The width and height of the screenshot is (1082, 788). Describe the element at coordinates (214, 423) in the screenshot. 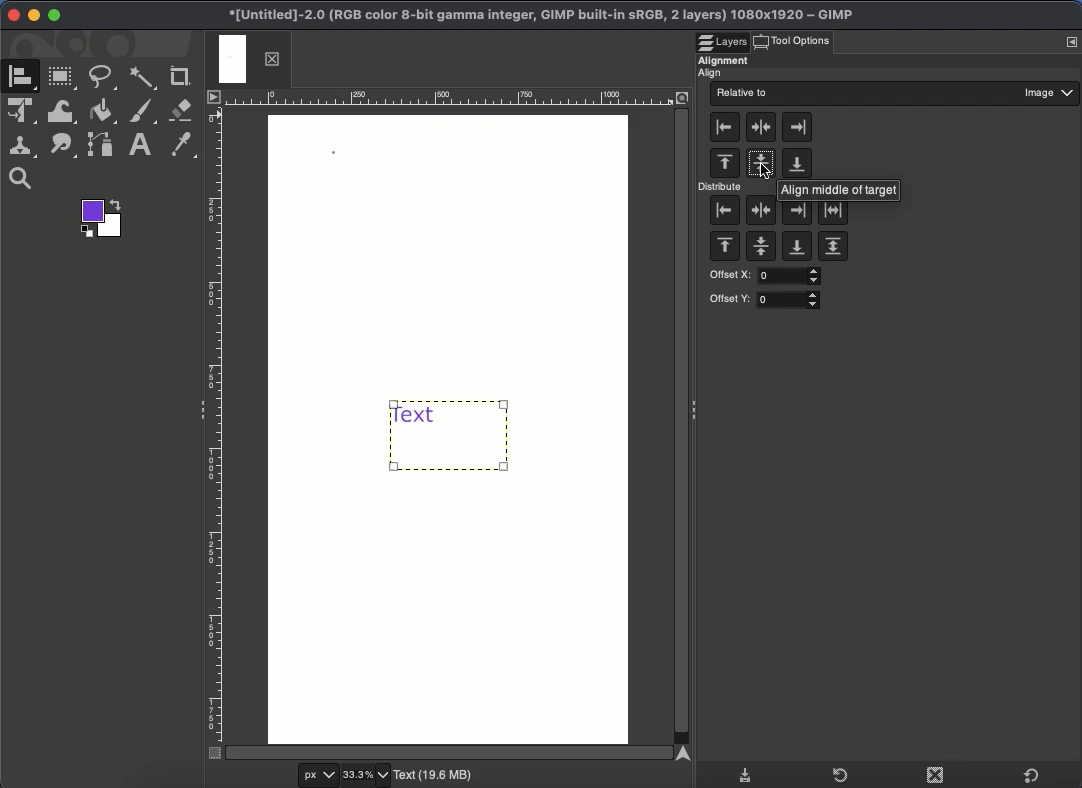

I see `Ruler` at that location.